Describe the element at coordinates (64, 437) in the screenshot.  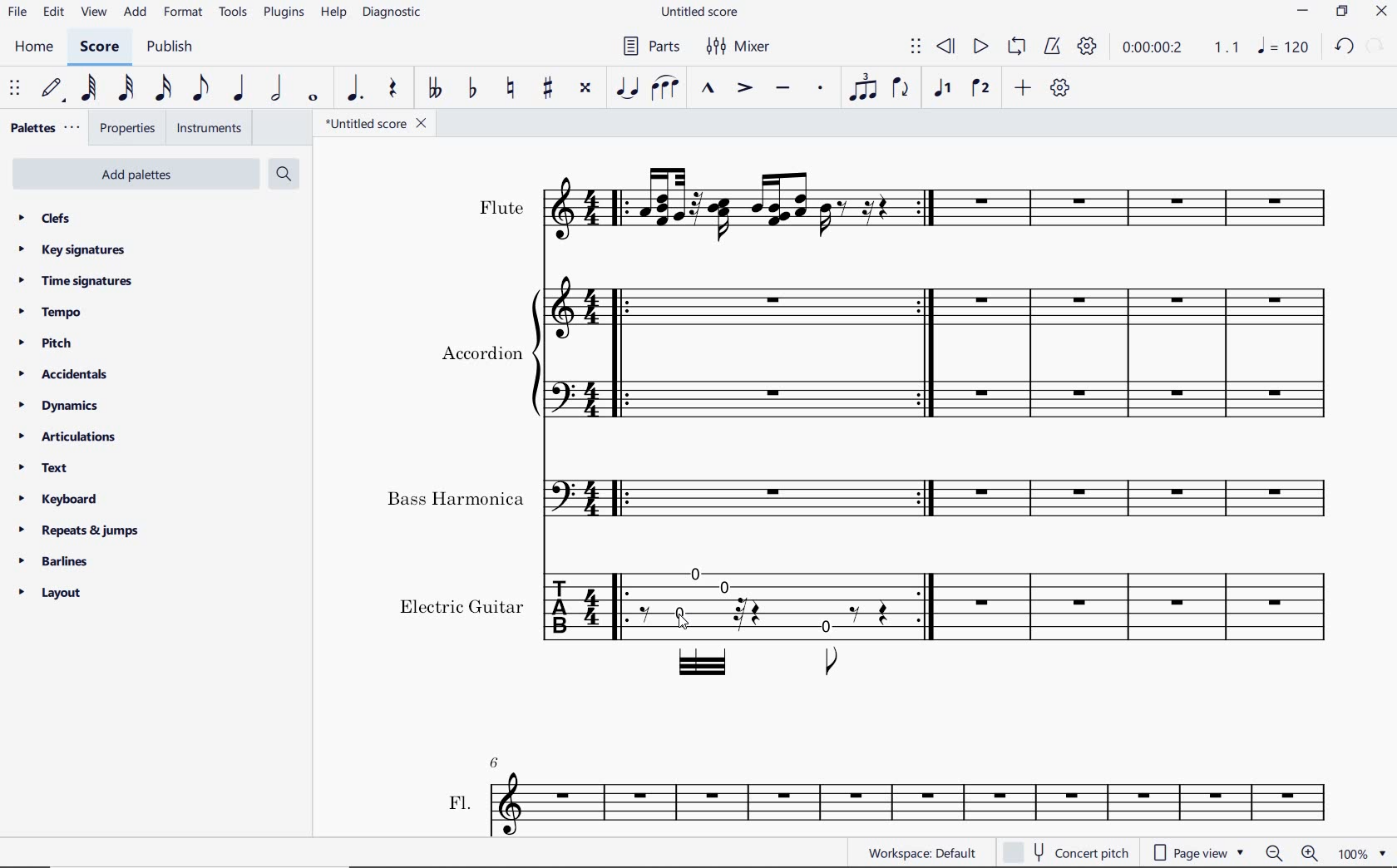
I see `articulations` at that location.